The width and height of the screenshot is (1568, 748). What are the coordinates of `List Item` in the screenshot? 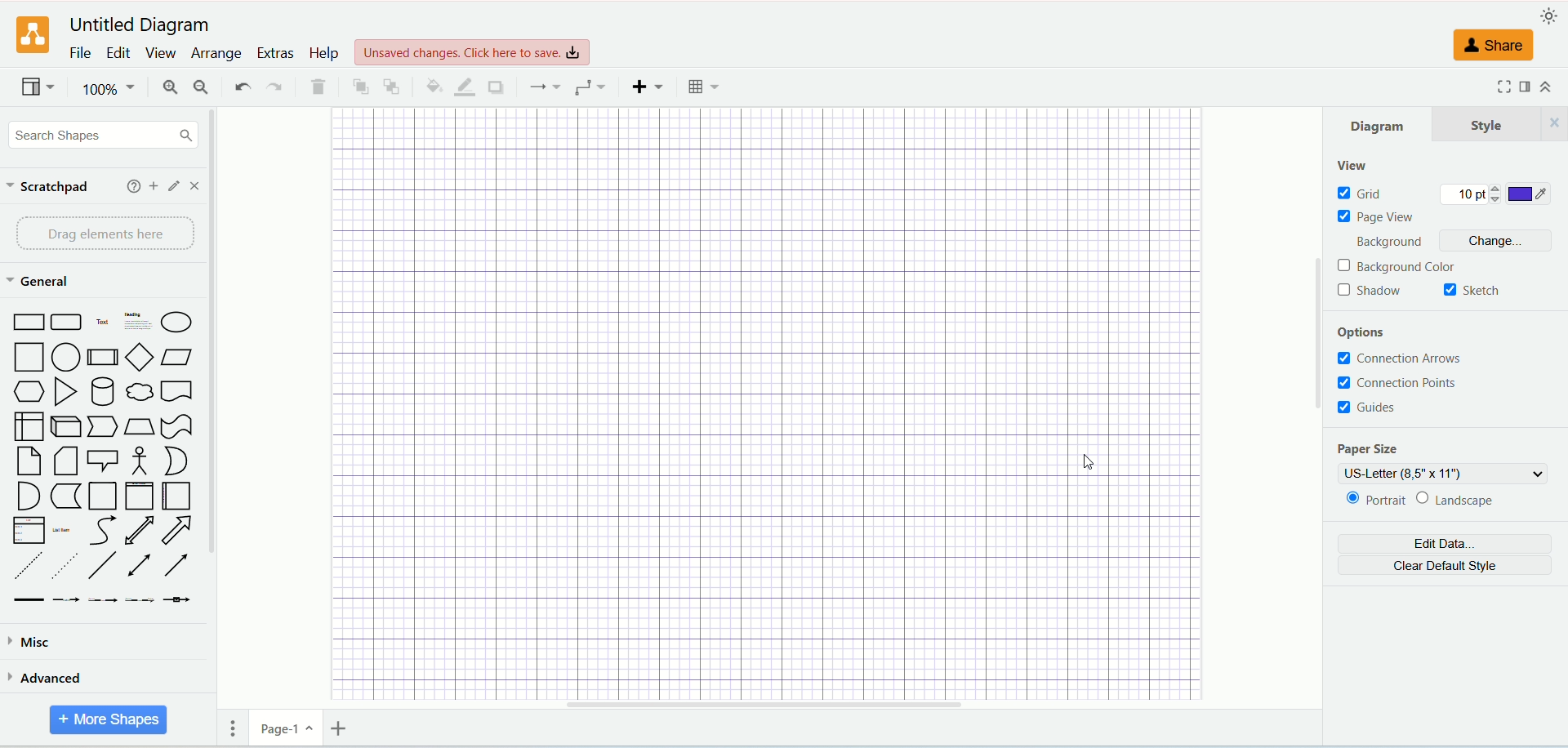 It's located at (63, 530).